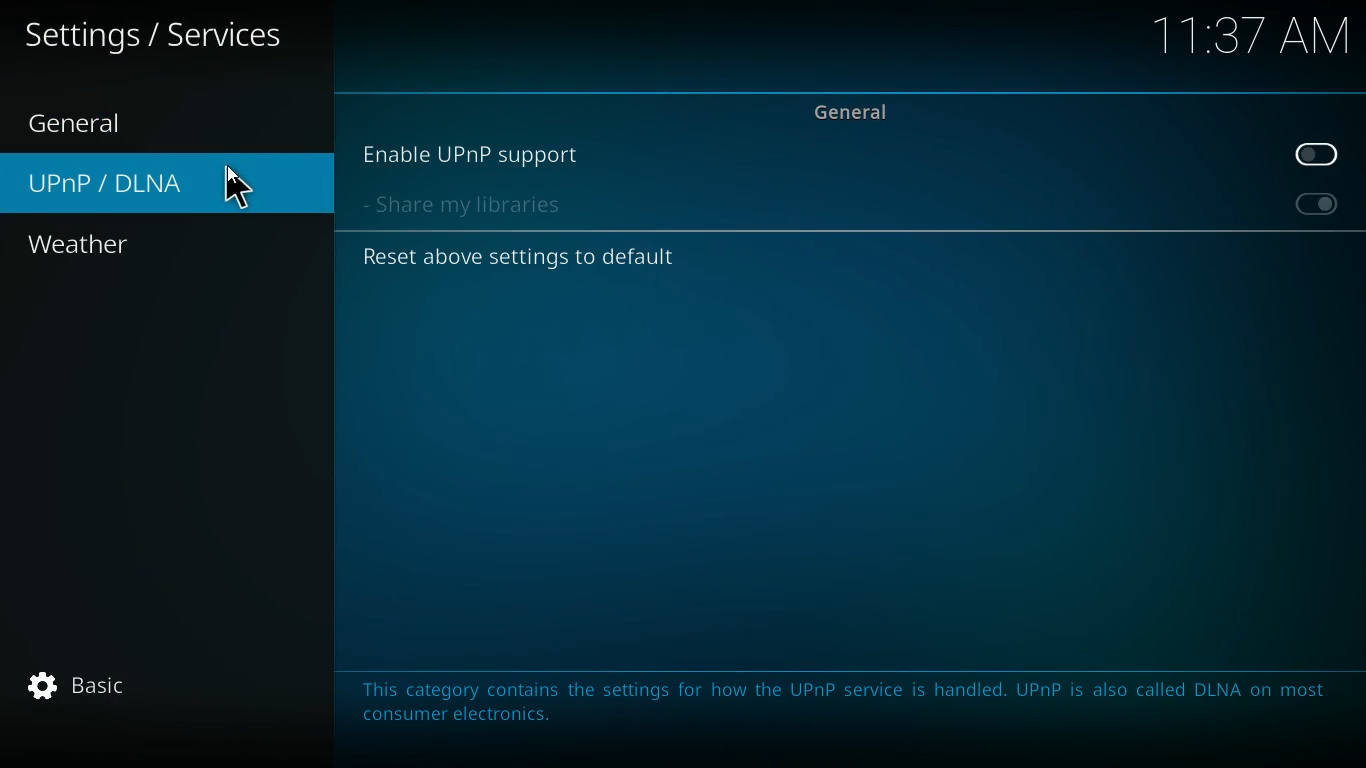  What do you see at coordinates (476, 206) in the screenshot?
I see `share my libraries` at bounding box center [476, 206].